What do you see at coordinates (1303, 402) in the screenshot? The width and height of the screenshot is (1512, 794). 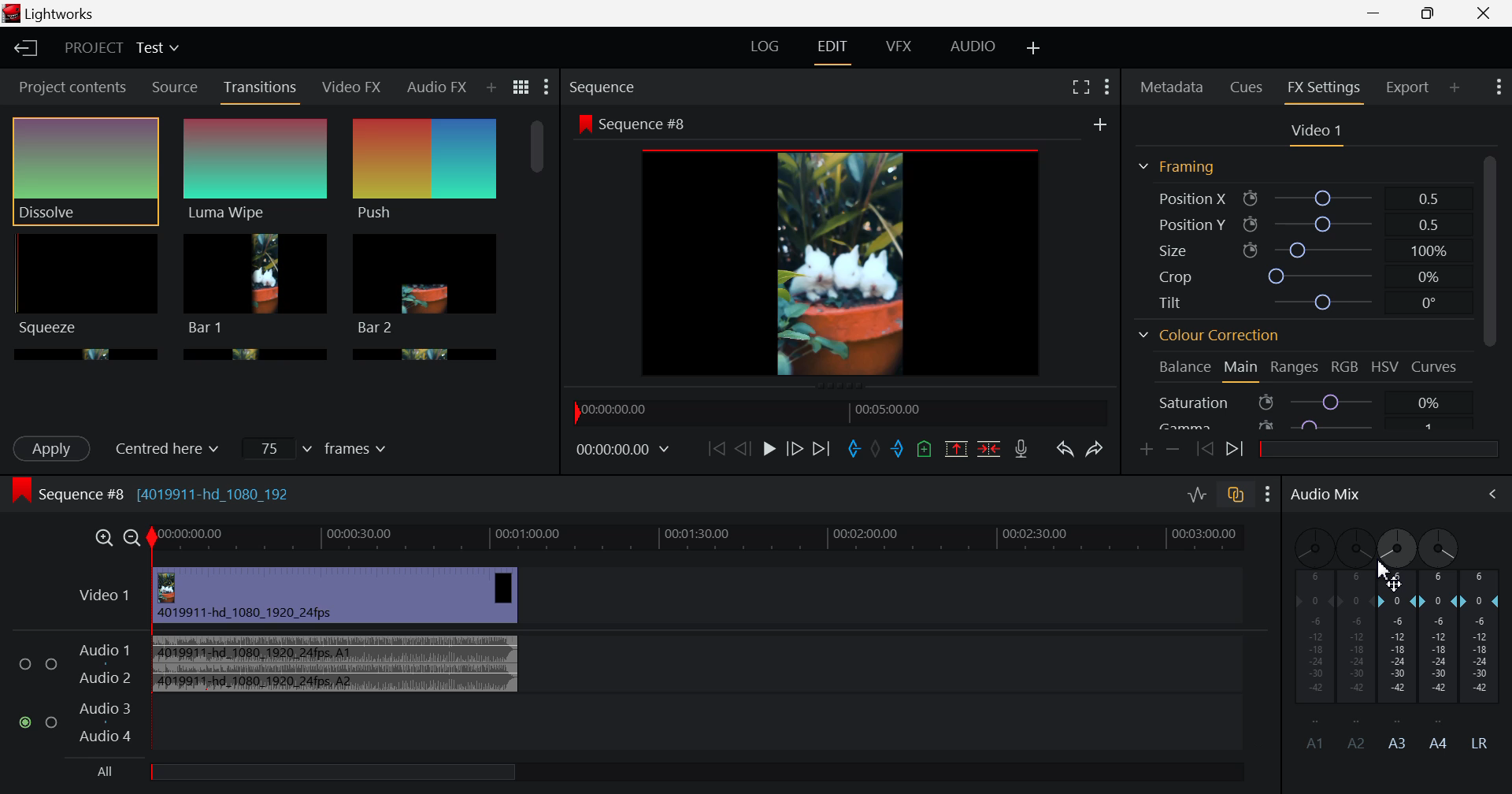 I see `Saturation` at bounding box center [1303, 402].